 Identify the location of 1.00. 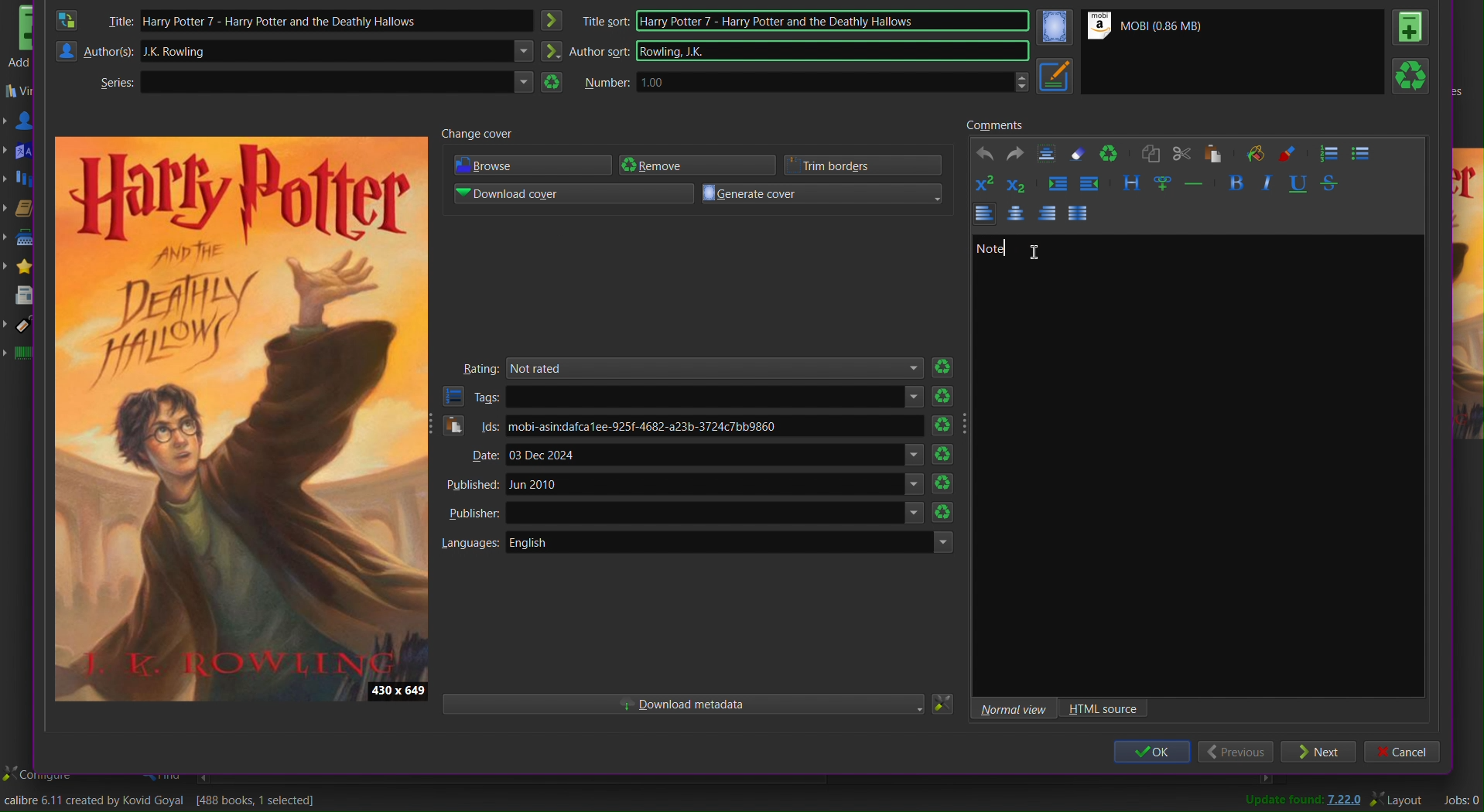
(834, 82).